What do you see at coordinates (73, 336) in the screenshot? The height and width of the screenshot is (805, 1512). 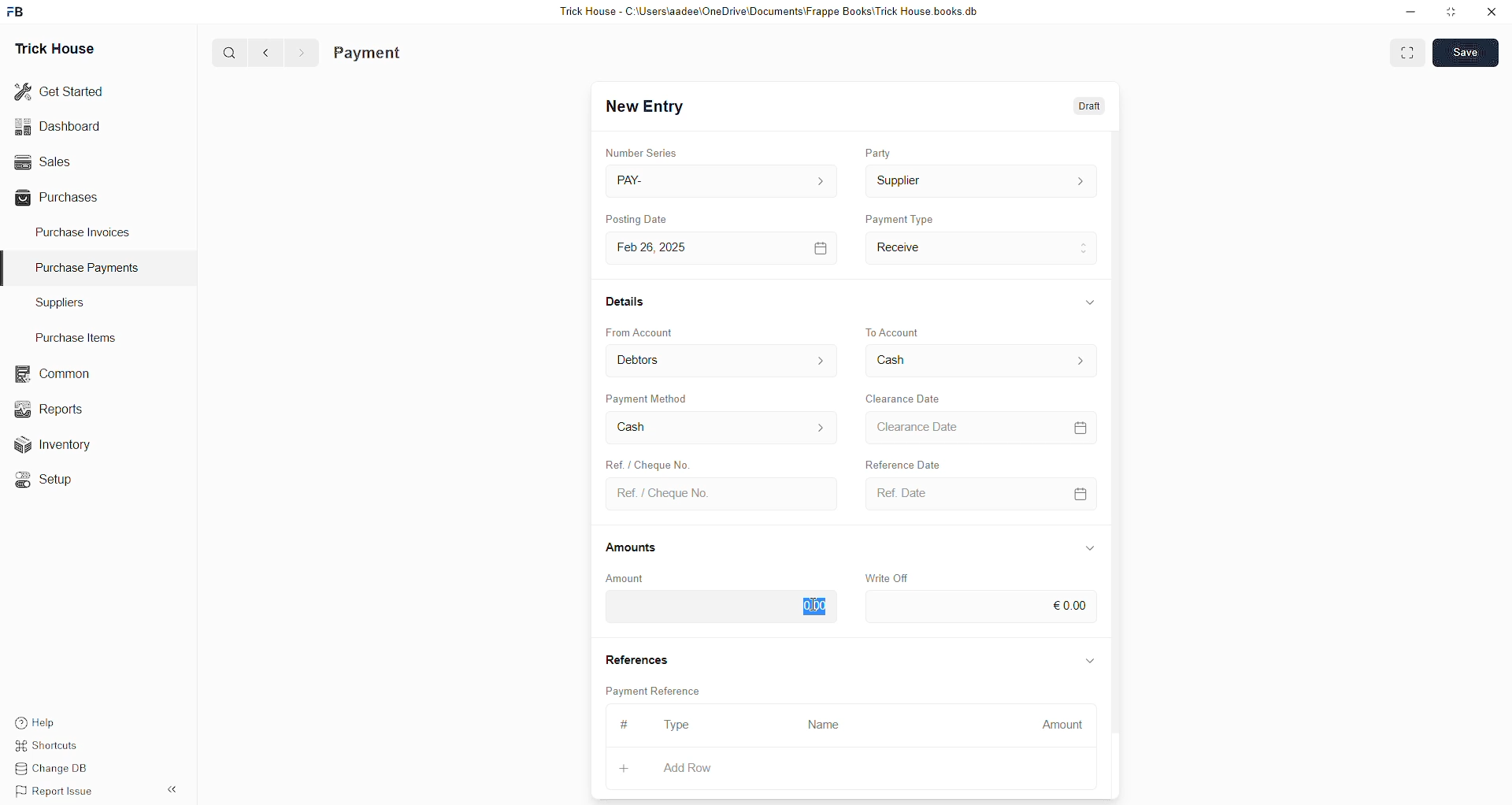 I see `Purchase Items.` at bounding box center [73, 336].